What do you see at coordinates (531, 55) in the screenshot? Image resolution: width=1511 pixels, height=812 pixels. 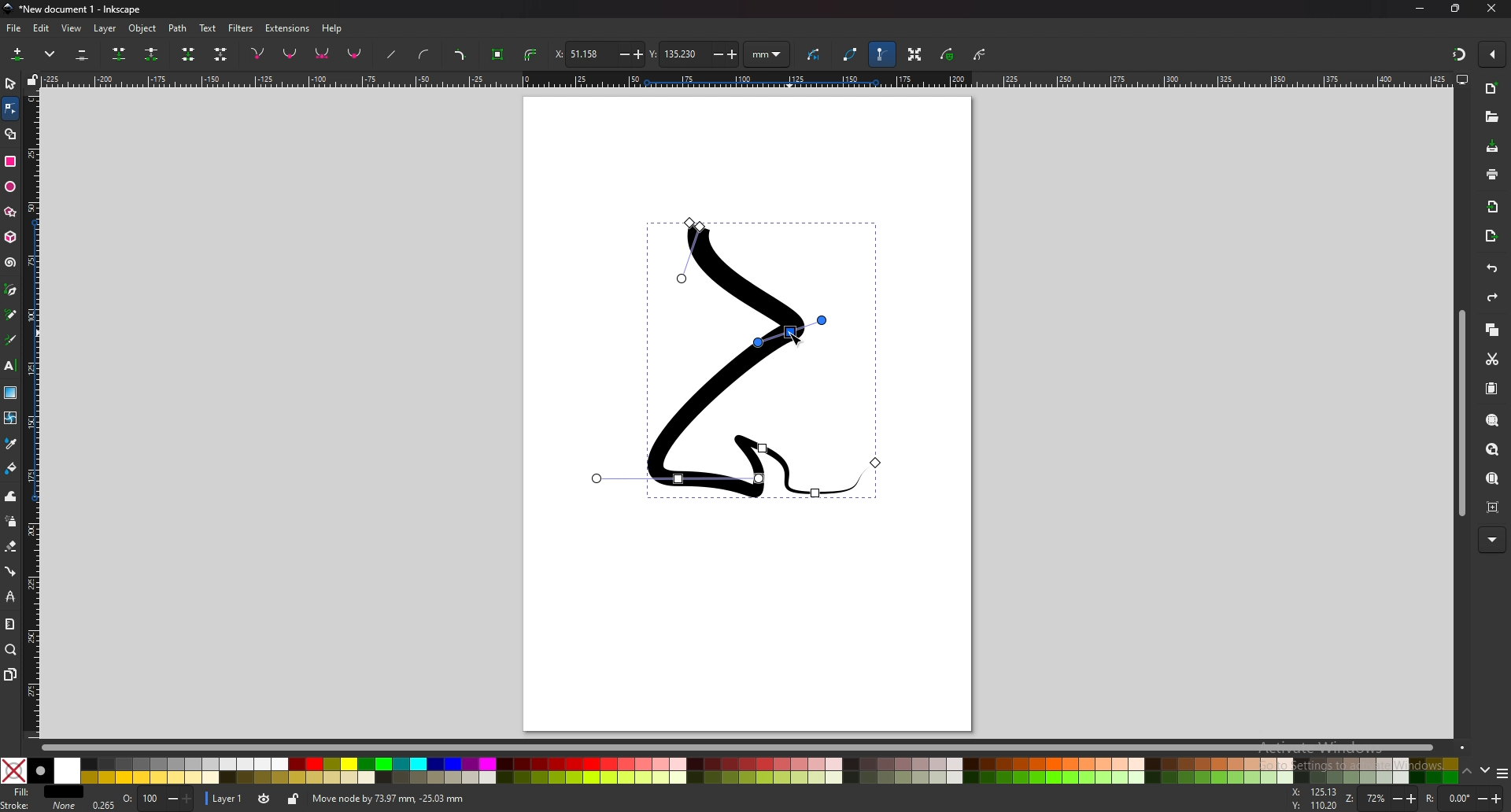 I see `stroke to path` at bounding box center [531, 55].